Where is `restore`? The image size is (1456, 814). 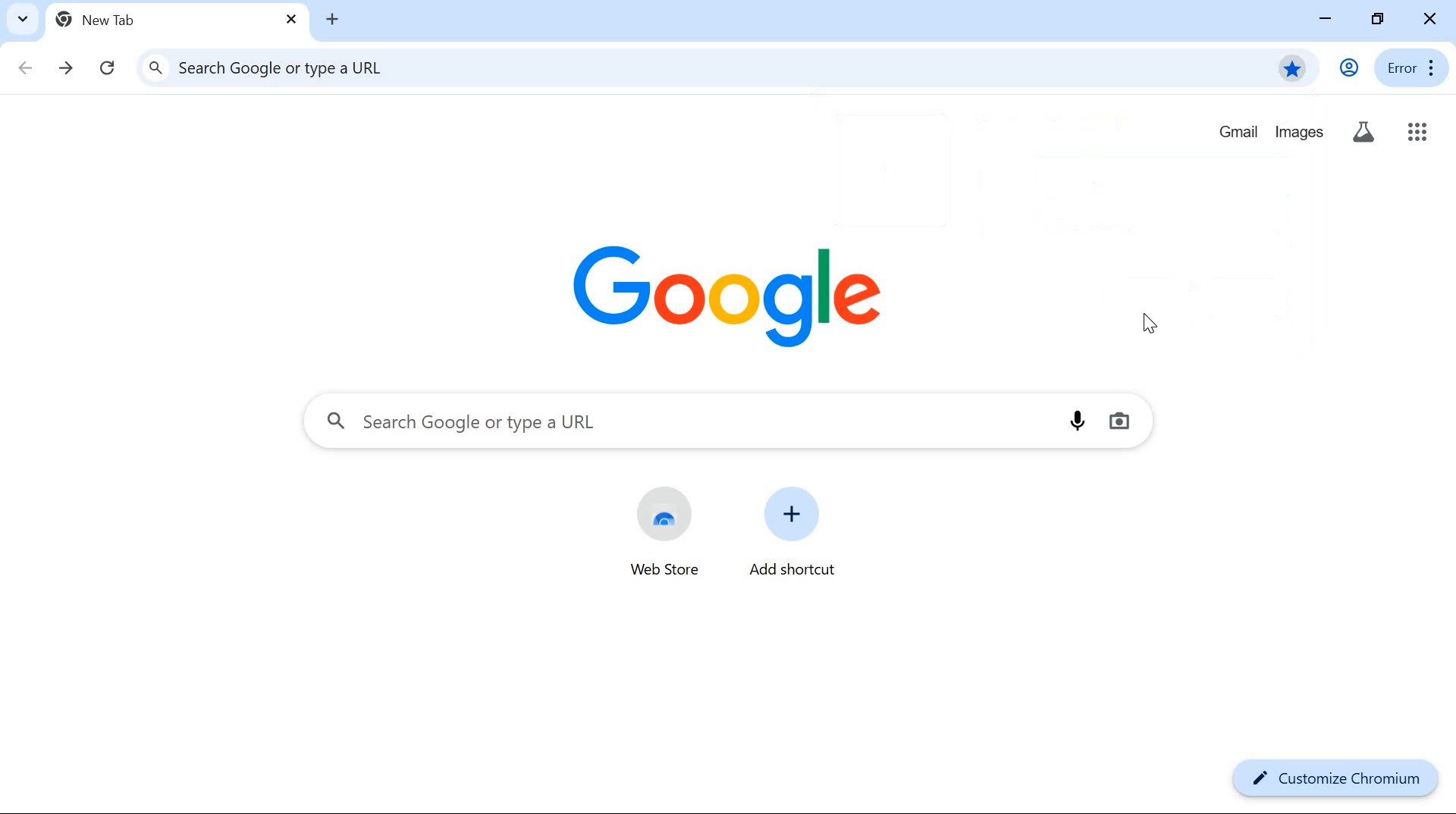
restore is located at coordinates (1380, 17).